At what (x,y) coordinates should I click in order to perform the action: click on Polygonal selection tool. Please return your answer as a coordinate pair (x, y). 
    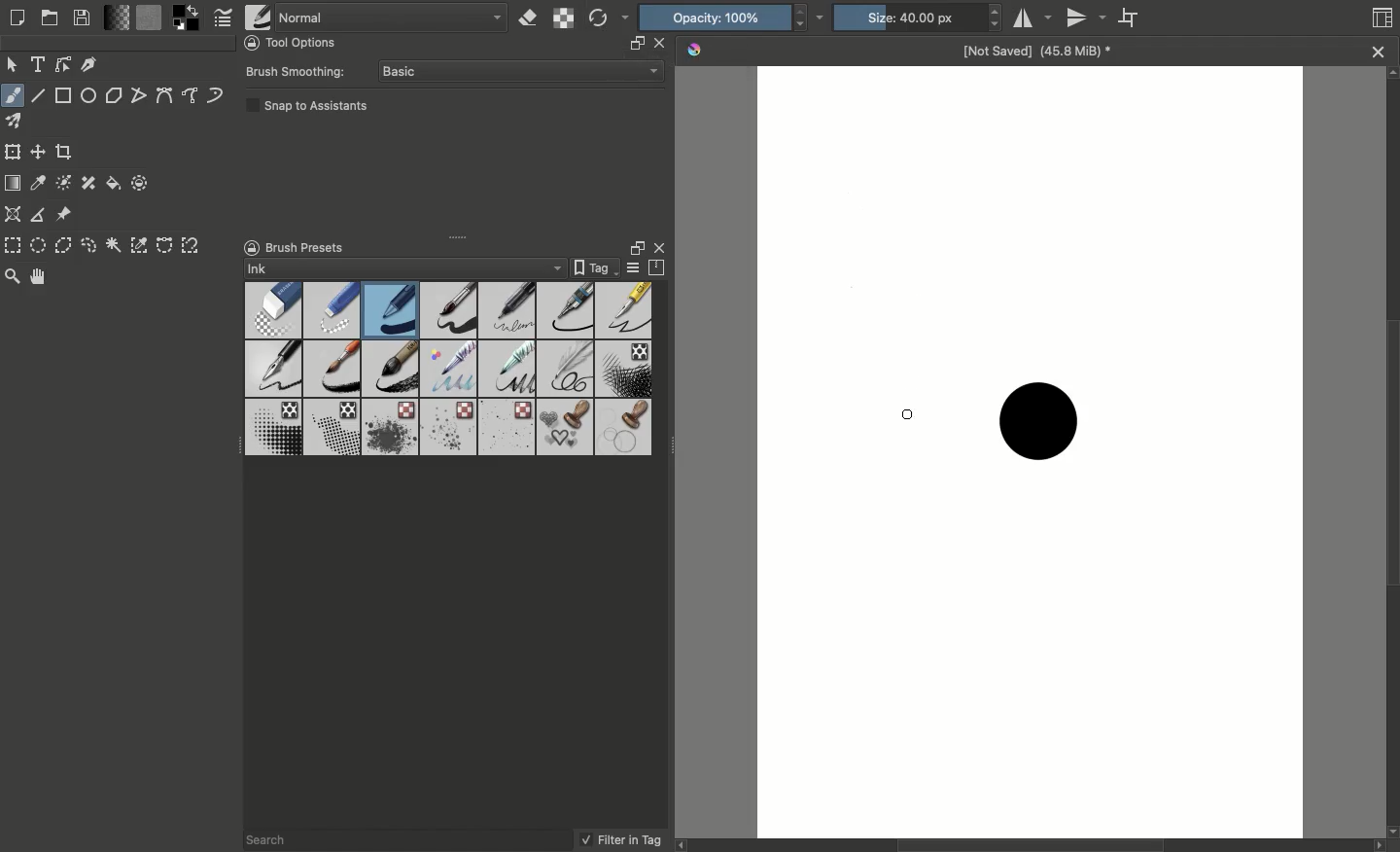
    Looking at the image, I should click on (64, 244).